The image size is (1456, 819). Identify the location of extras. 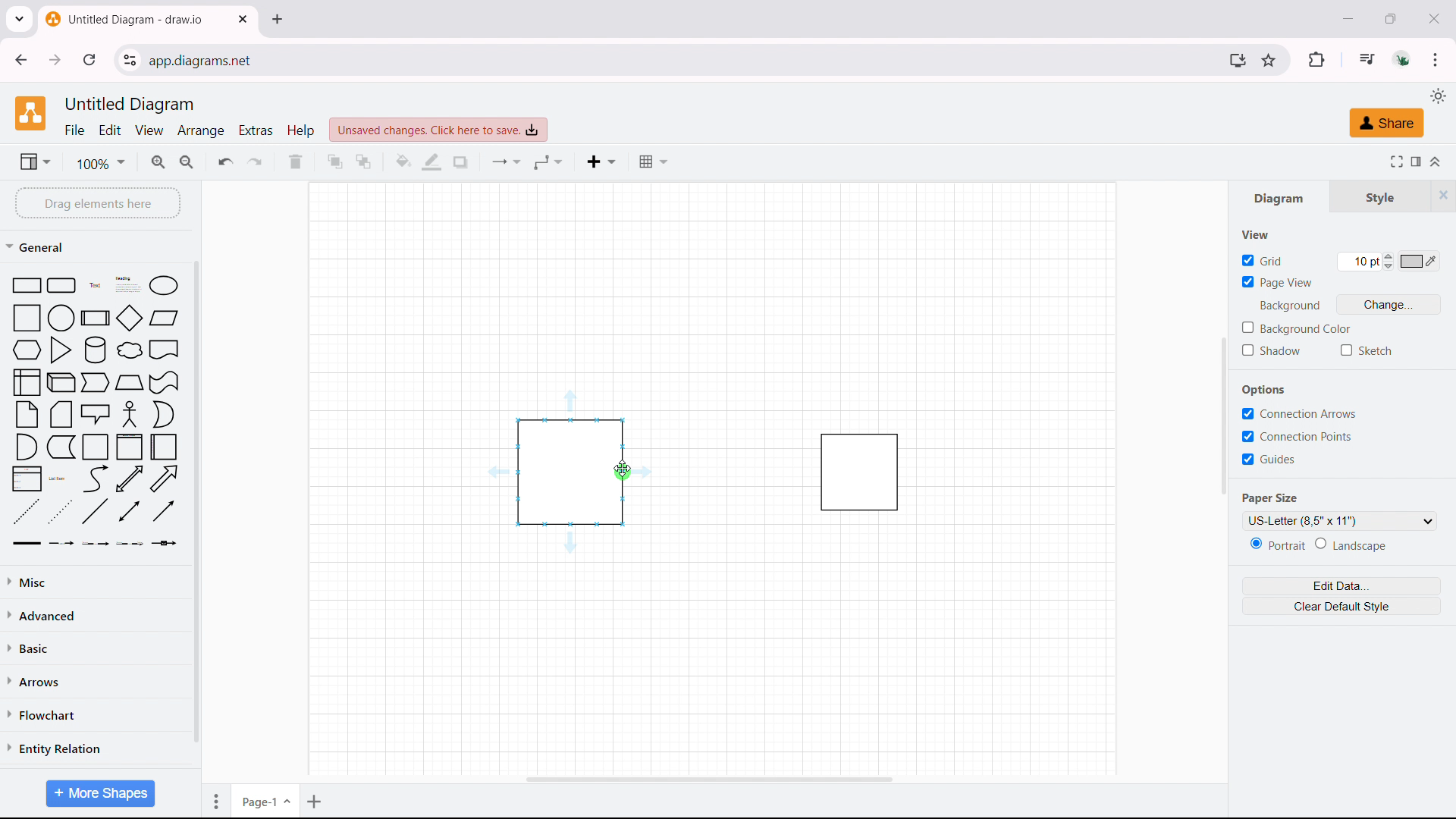
(256, 130).